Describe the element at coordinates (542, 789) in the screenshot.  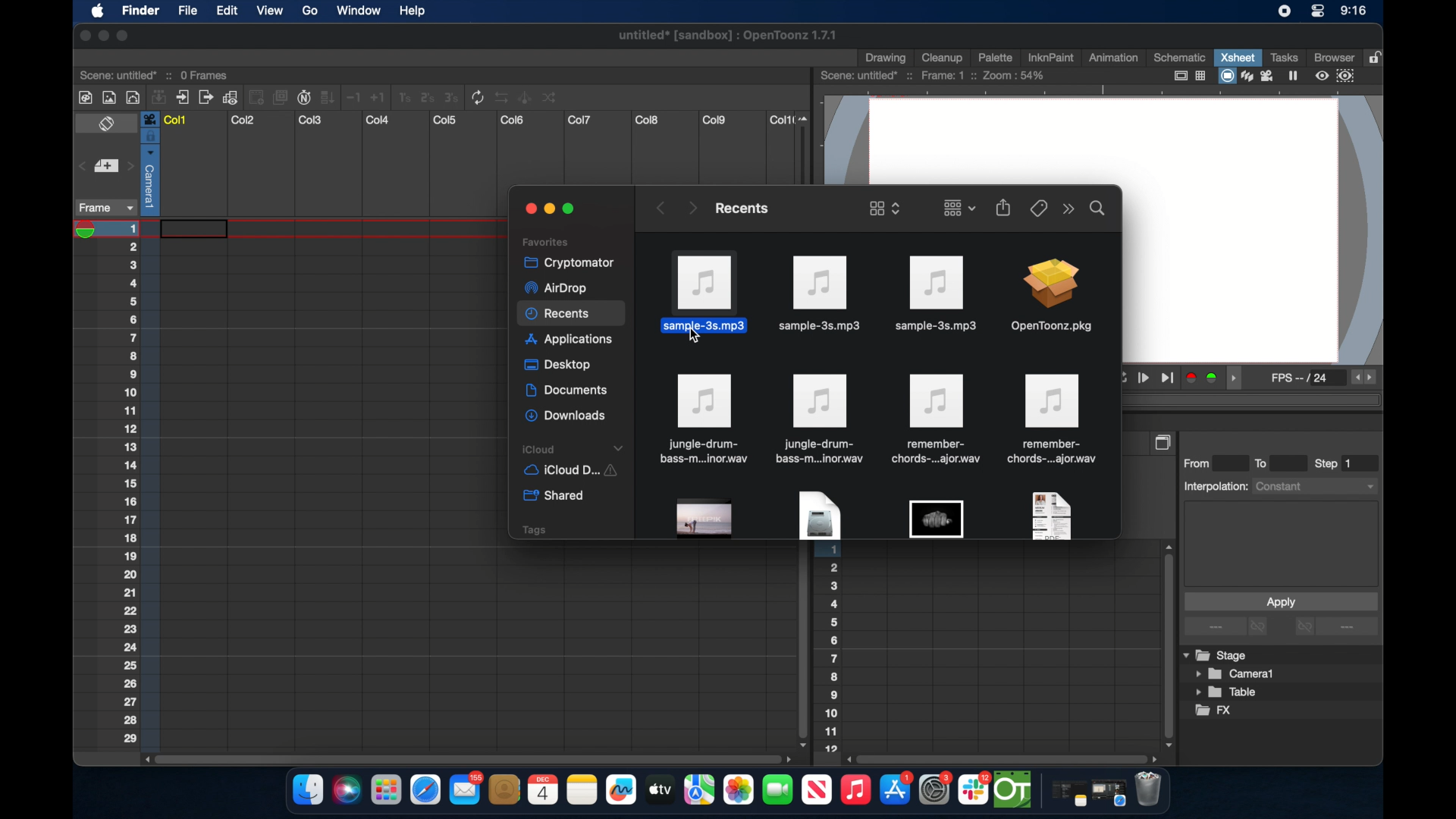
I see `calendar` at that location.